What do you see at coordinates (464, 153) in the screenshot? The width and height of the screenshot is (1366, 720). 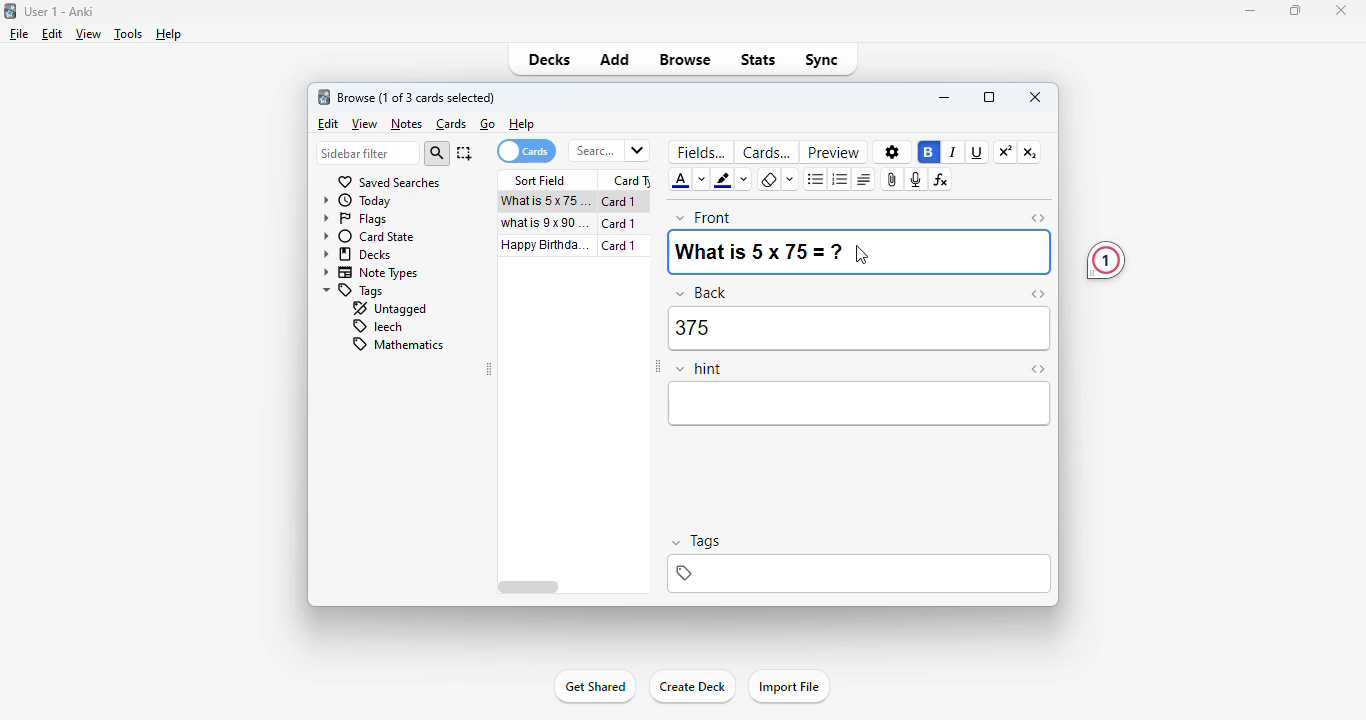 I see `select` at bounding box center [464, 153].